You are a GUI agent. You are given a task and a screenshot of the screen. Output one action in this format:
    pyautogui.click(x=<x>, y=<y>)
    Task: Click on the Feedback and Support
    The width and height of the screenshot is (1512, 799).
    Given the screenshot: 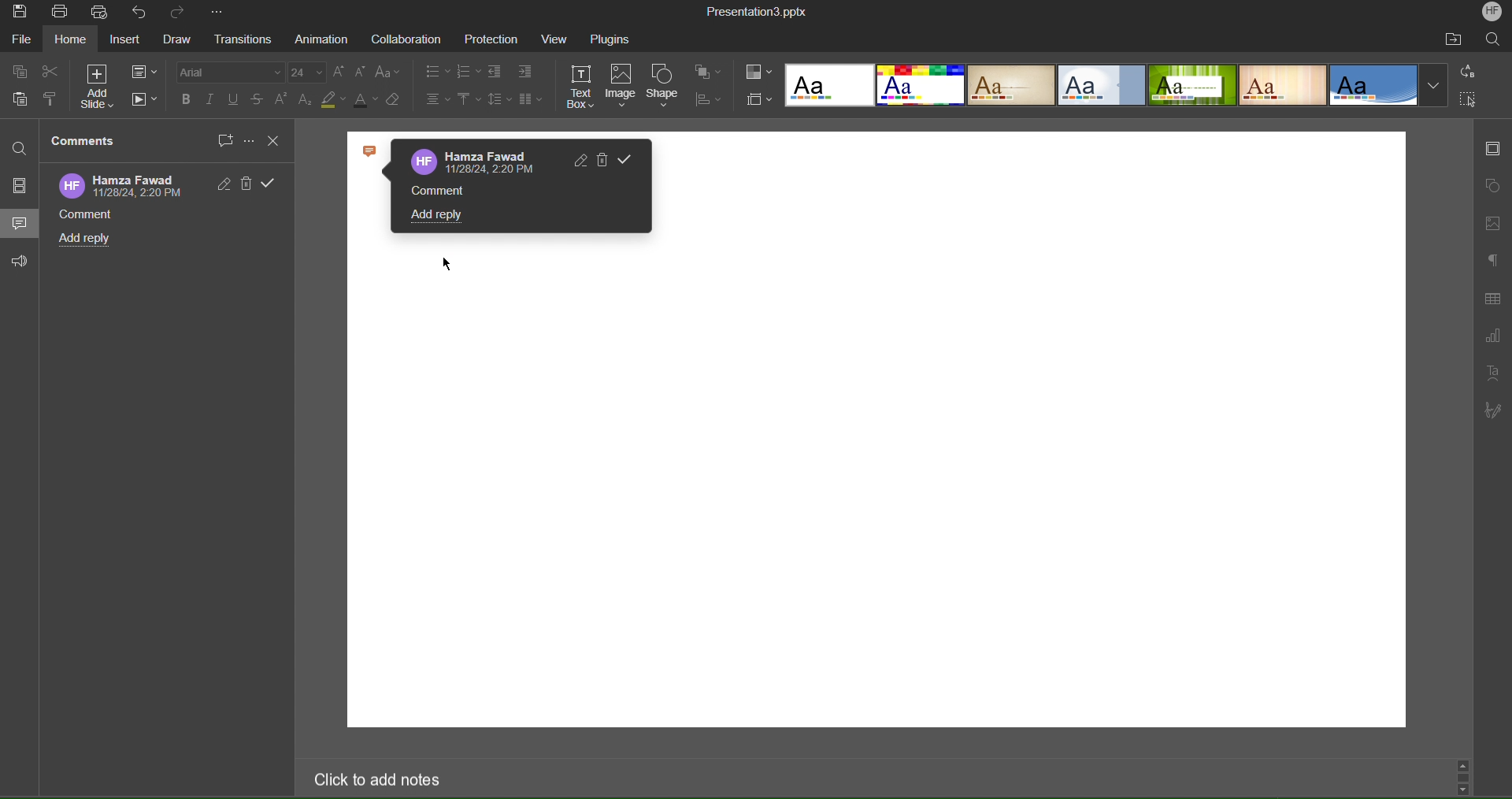 What is the action you would take?
    pyautogui.click(x=22, y=262)
    